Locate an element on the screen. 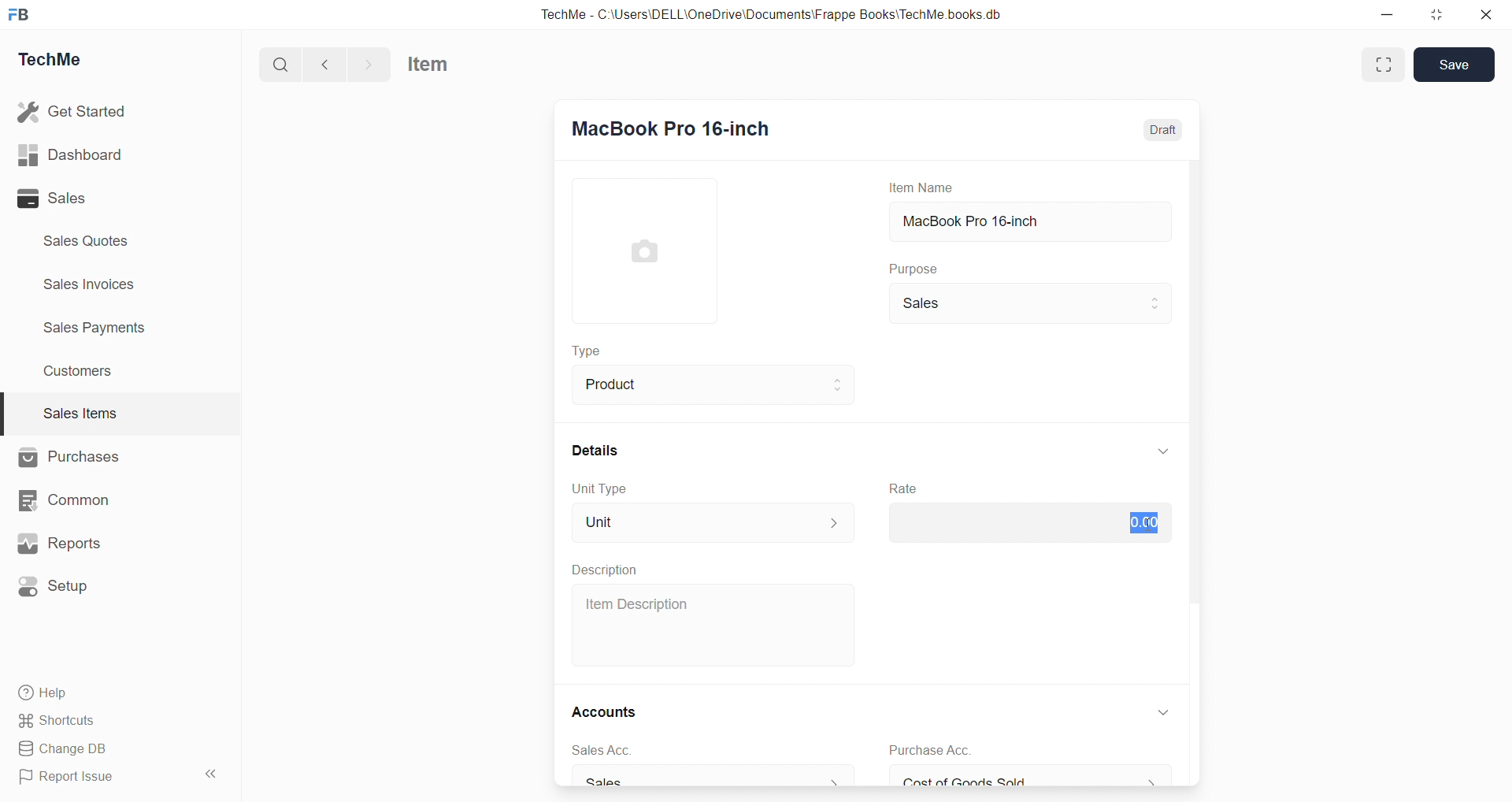 The image size is (1512, 802). Item Name is located at coordinates (919, 188).